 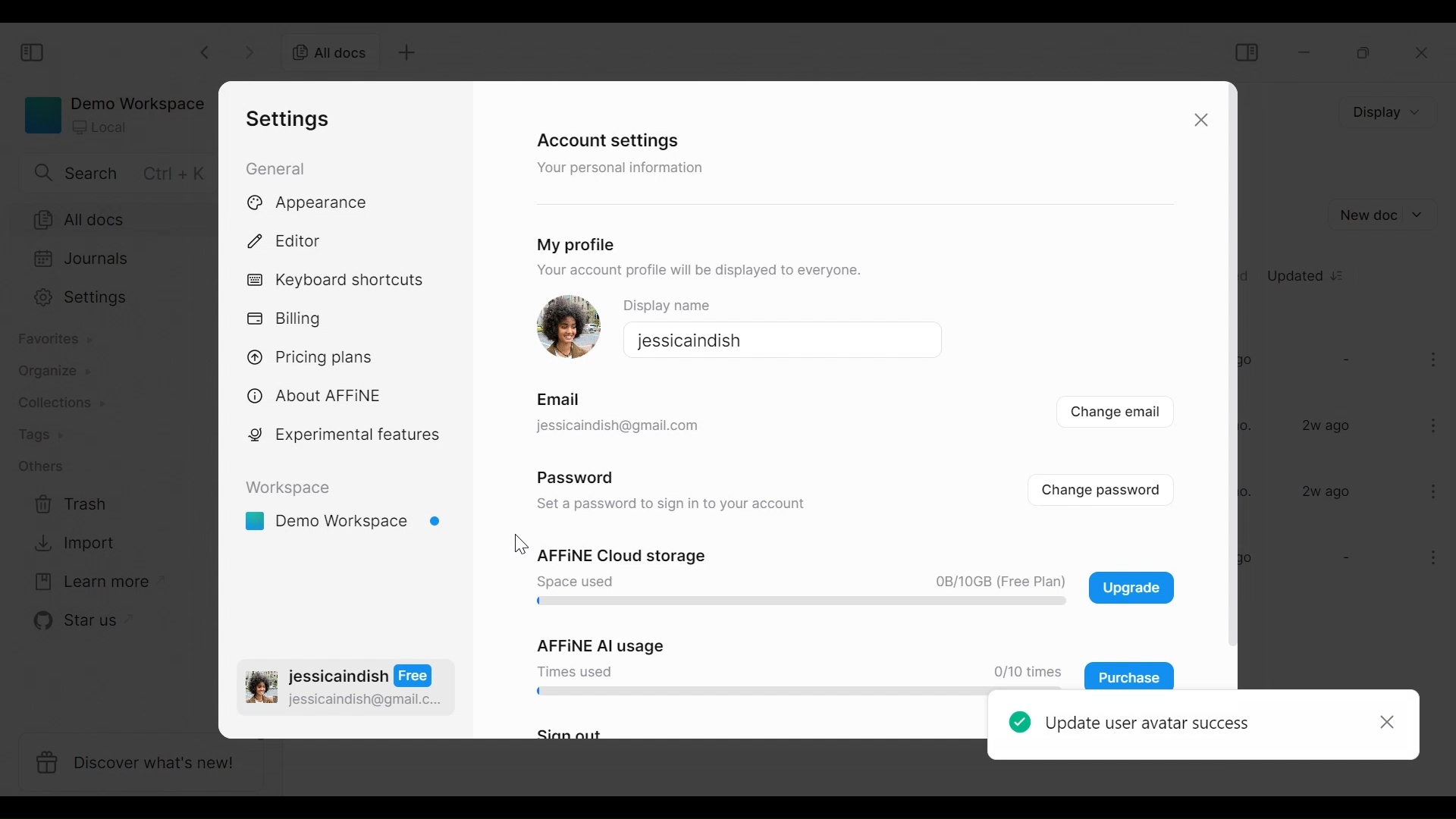 I want to click on Password, so click(x=575, y=475).